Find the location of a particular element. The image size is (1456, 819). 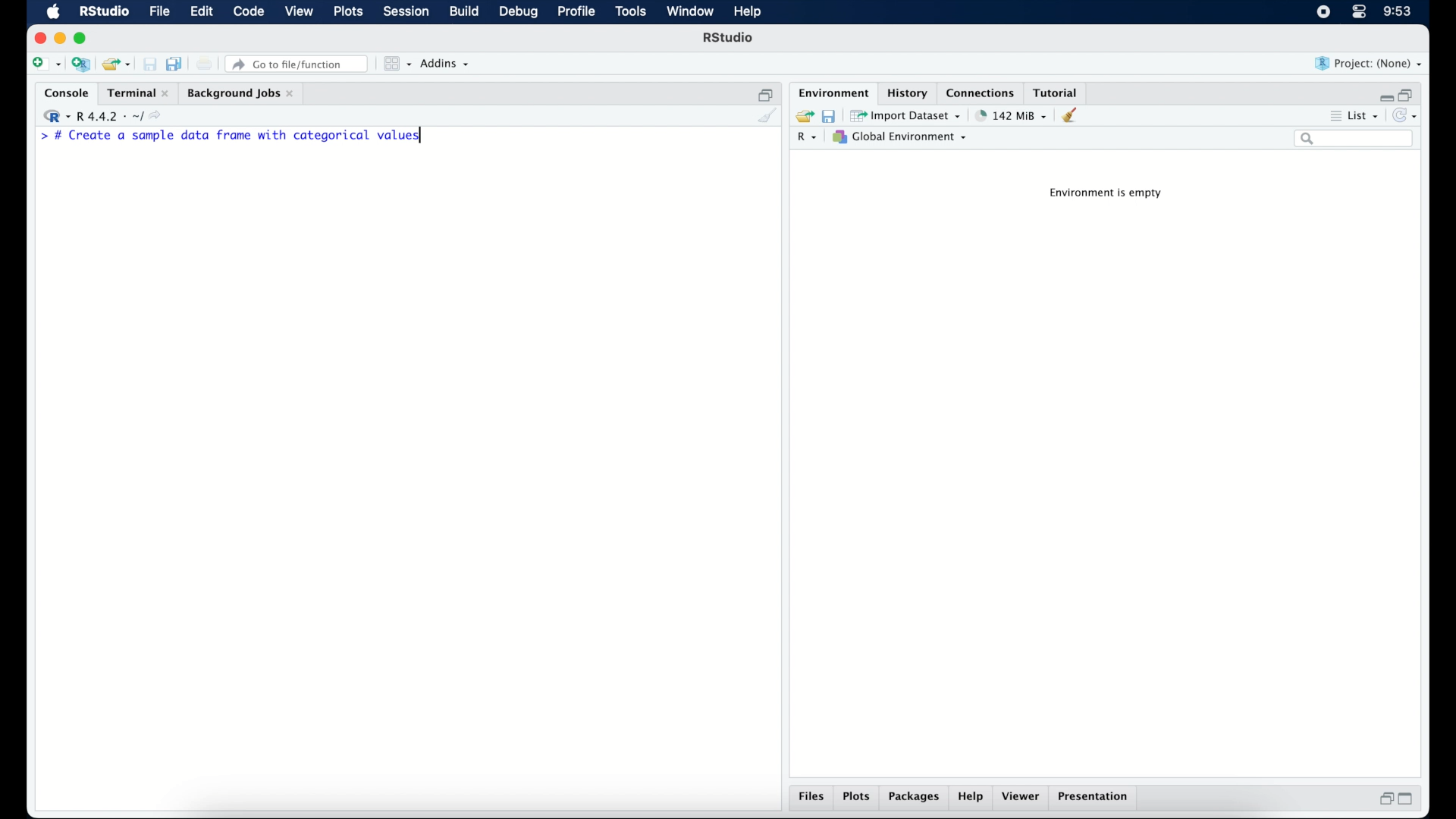

> # Create a sample data frame with categorical values| is located at coordinates (252, 137).